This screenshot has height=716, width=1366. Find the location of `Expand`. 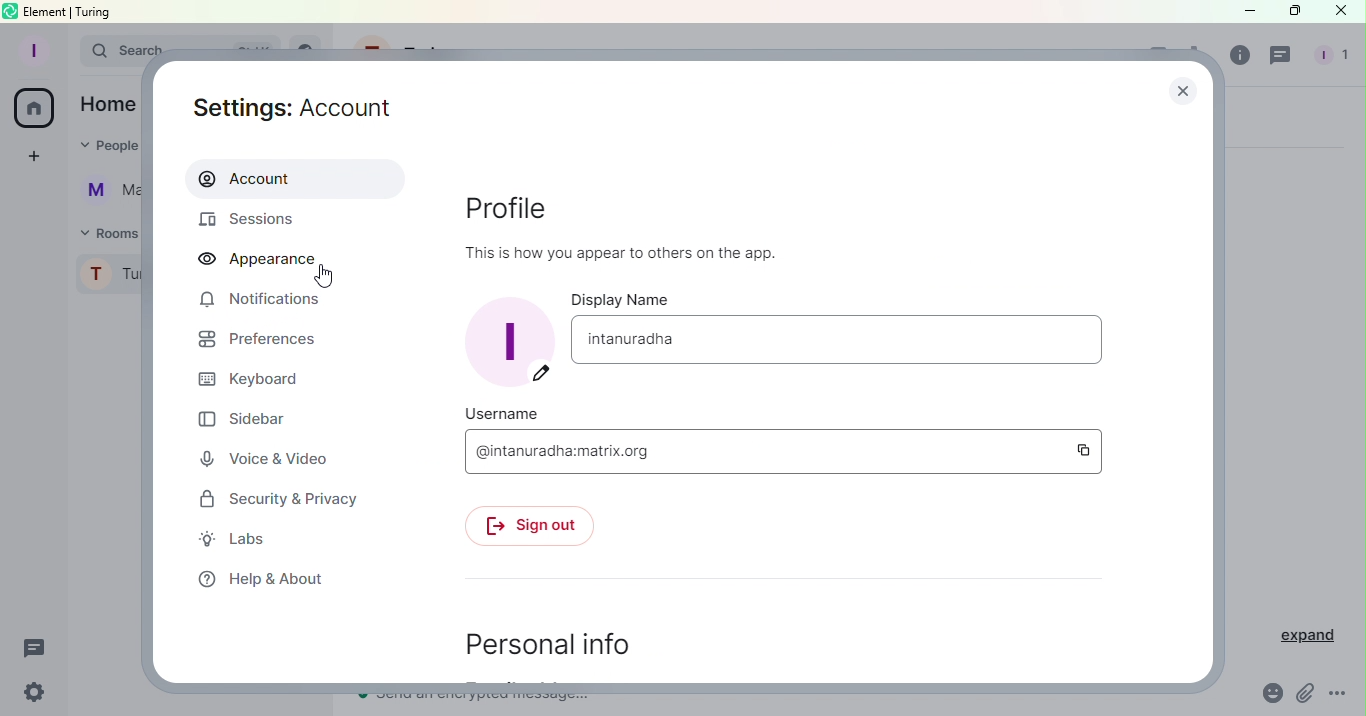

Expand is located at coordinates (1308, 637).